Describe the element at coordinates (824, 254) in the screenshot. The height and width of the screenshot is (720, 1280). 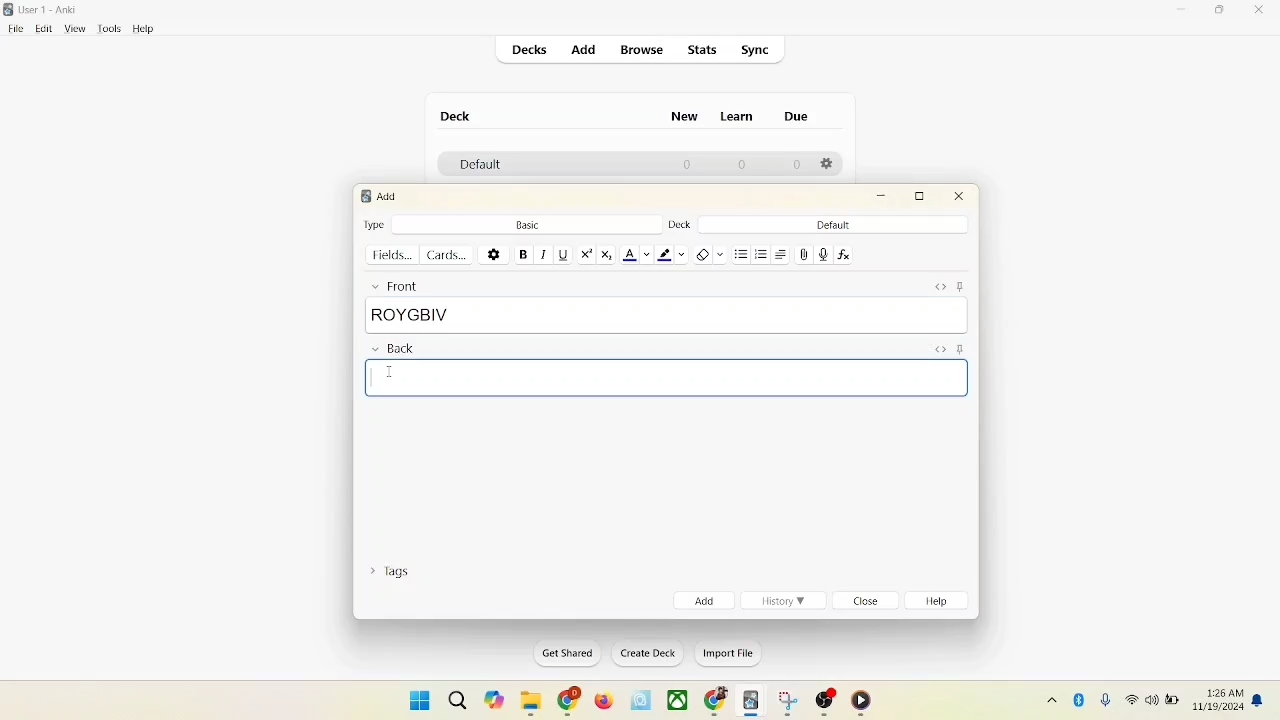
I see `audio` at that location.